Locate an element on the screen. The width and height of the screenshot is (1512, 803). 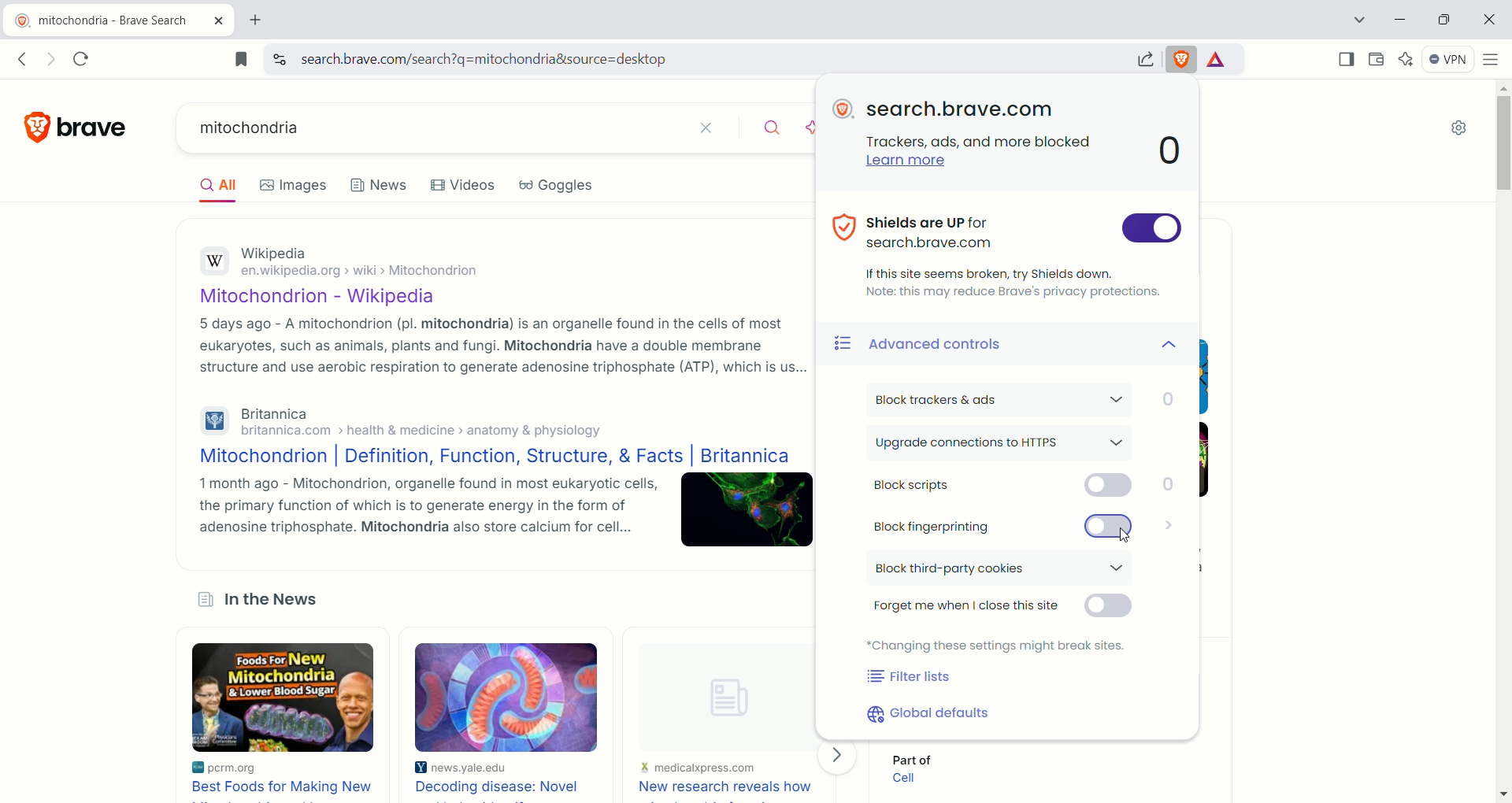
Britannicabritannica.com > health & medicine > anatomy & physiology is located at coordinates (433, 422).